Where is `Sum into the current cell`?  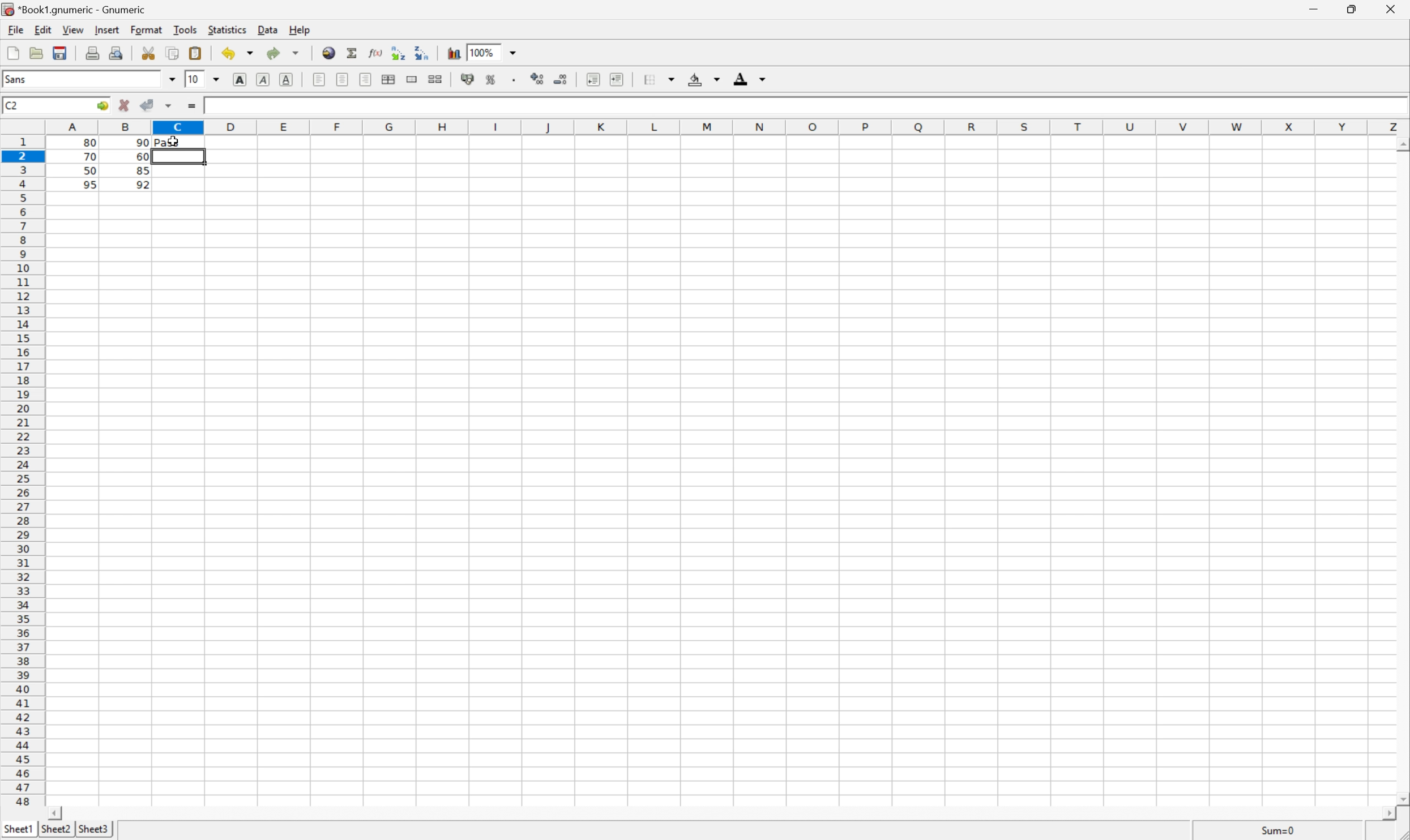
Sum into the current cell is located at coordinates (352, 52).